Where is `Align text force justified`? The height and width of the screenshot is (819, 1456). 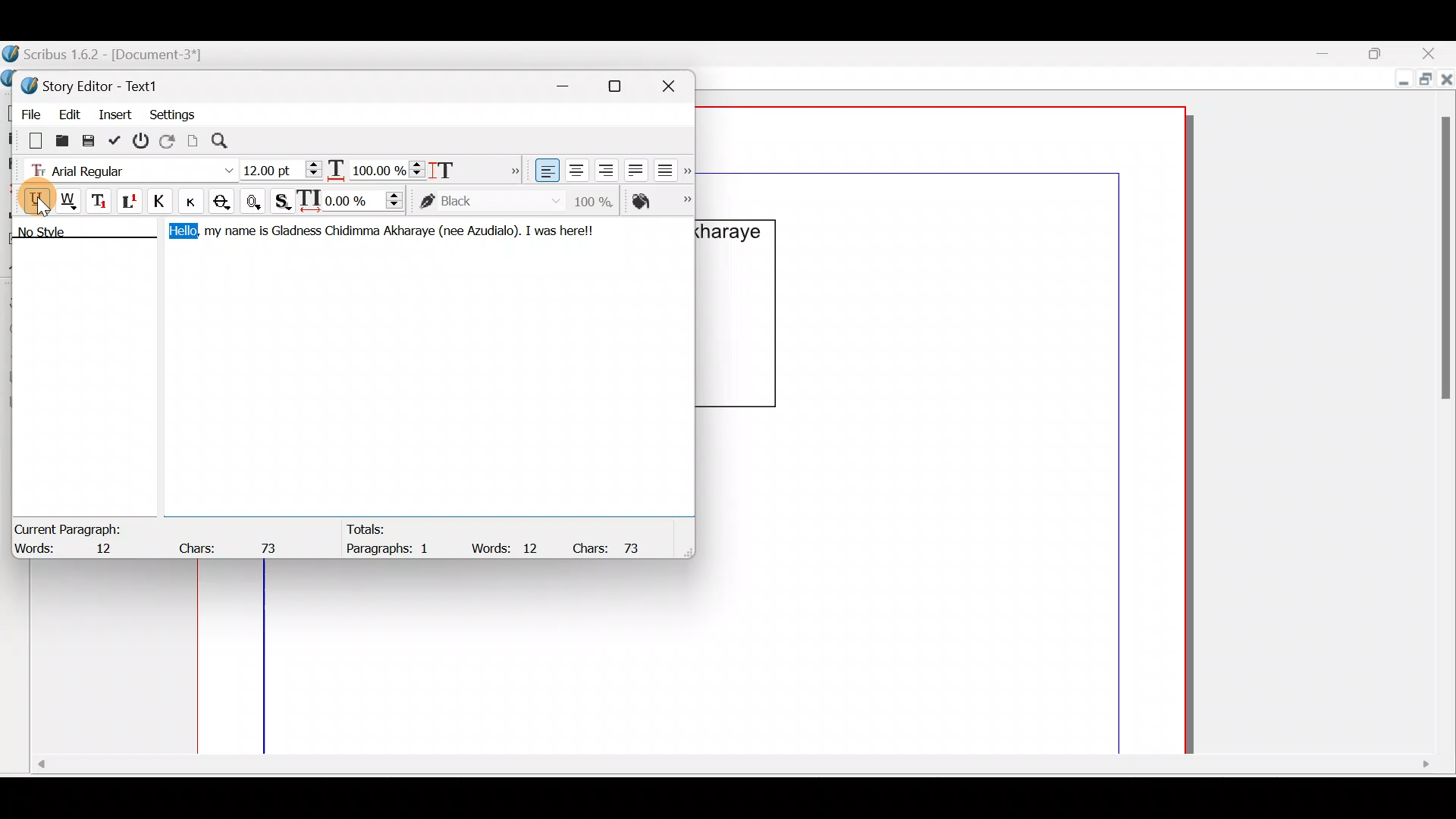 Align text force justified is located at coordinates (670, 167).